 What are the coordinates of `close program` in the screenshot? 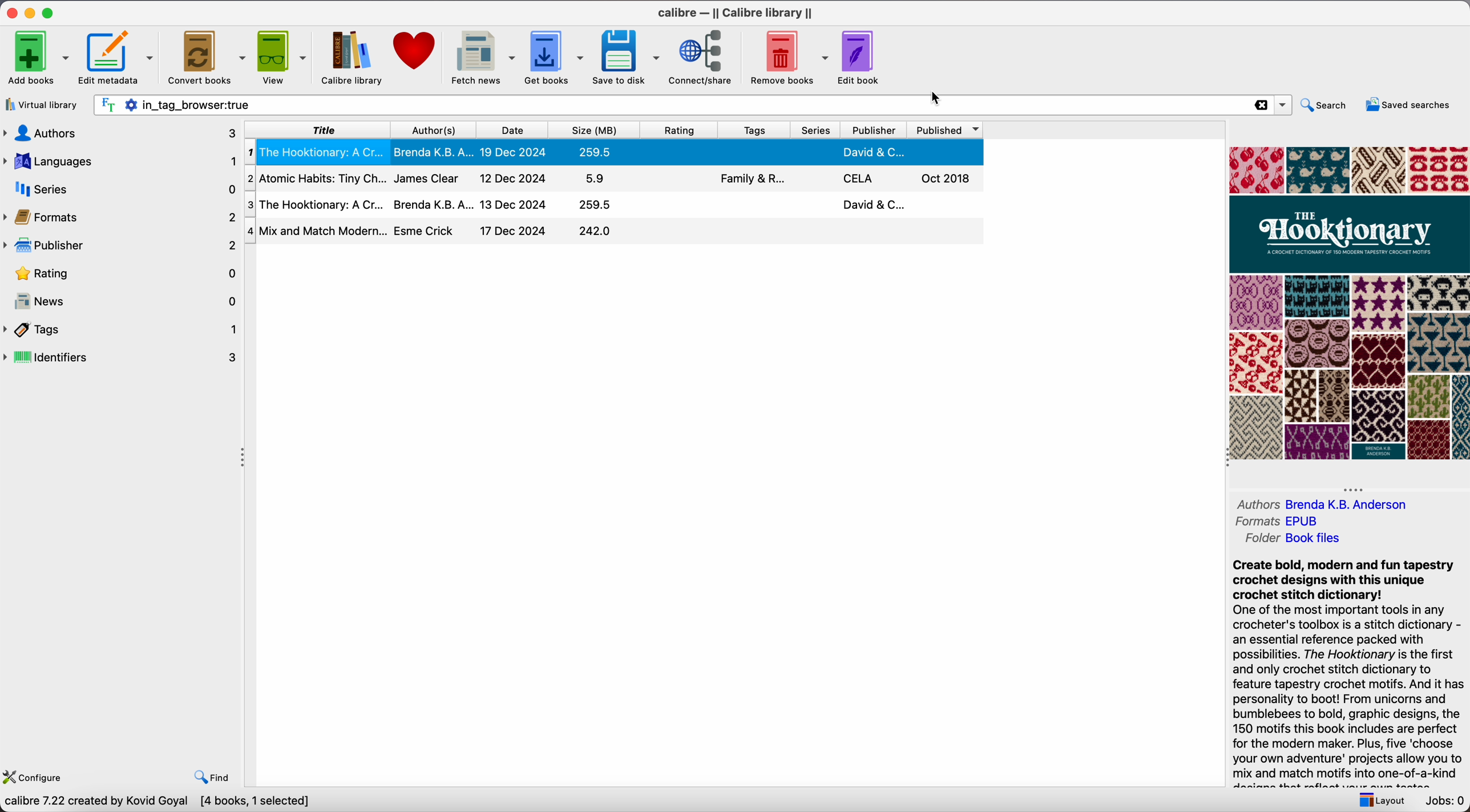 It's located at (9, 13).